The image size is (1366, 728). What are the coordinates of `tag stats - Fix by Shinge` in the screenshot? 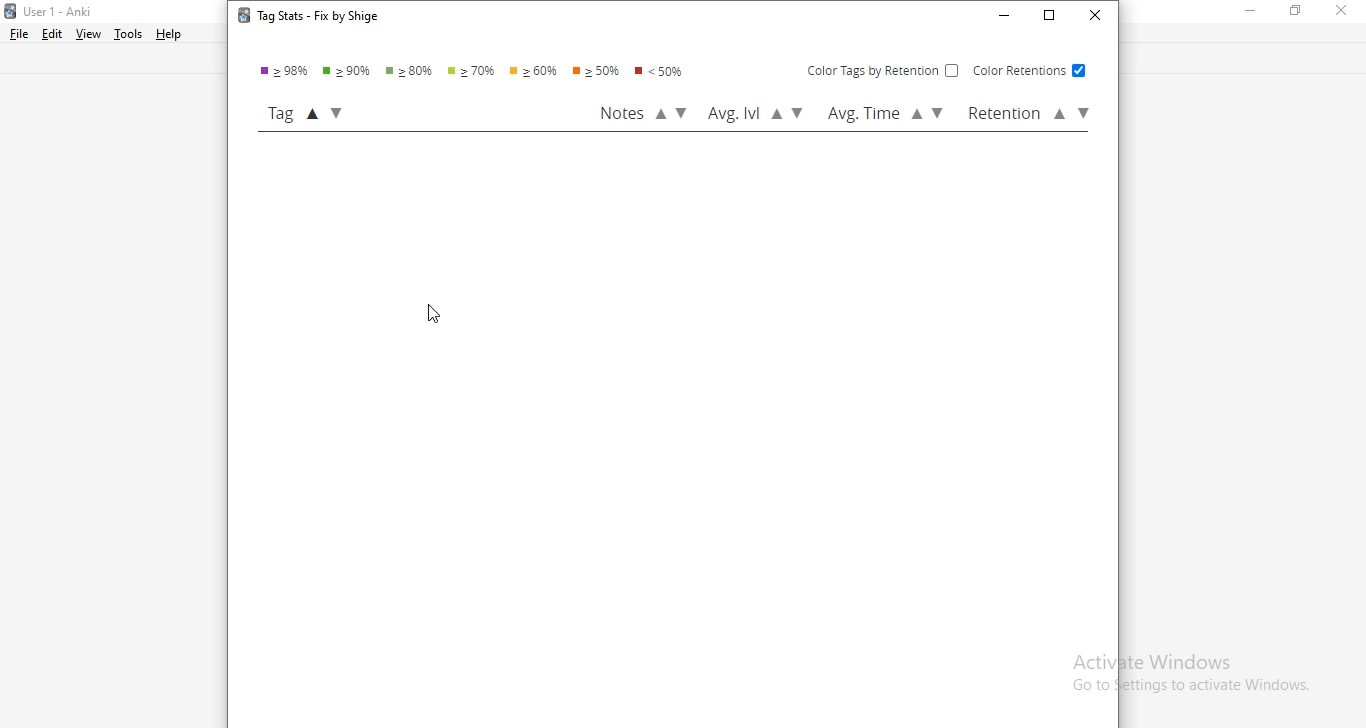 It's located at (304, 19).